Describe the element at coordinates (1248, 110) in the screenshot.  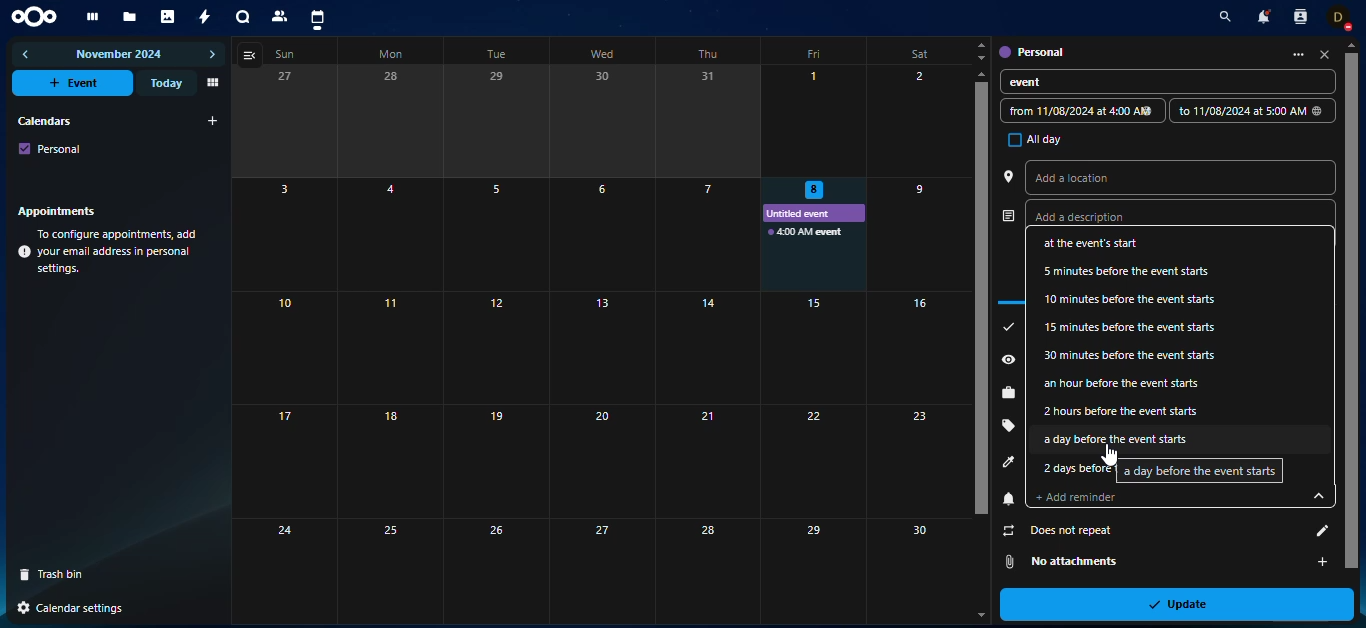
I see `date` at that location.